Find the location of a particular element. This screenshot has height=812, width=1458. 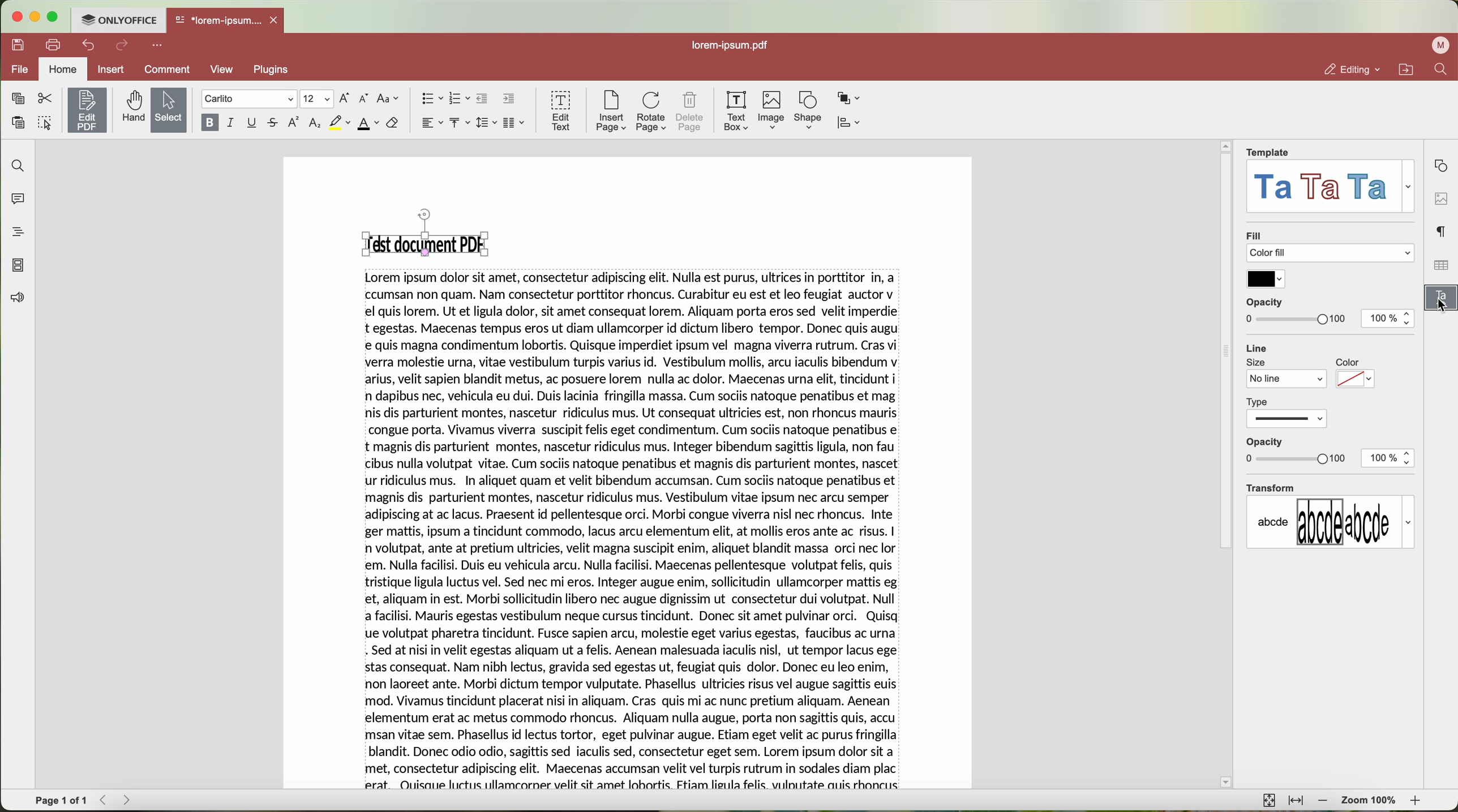

table settings is located at coordinates (1440, 265).